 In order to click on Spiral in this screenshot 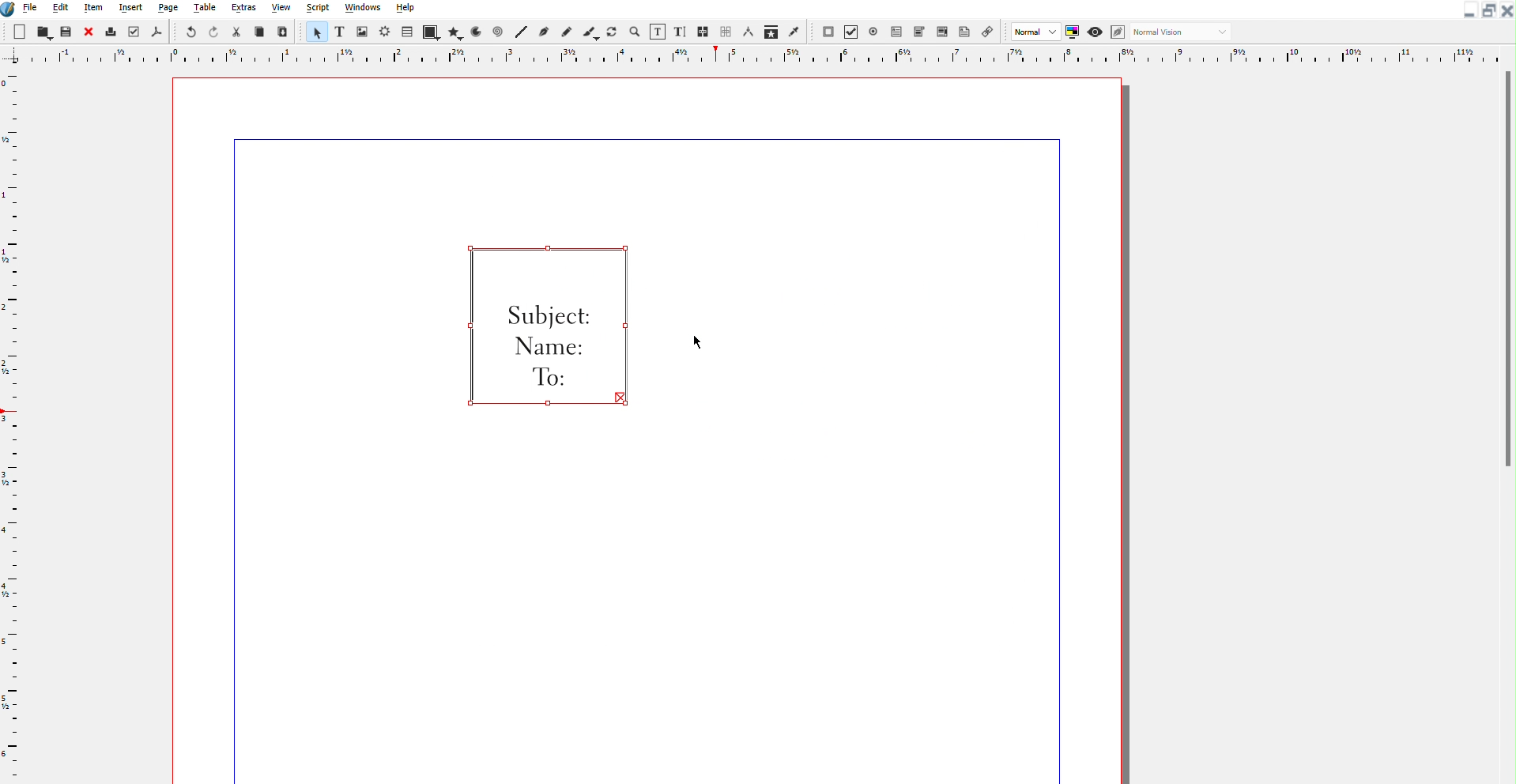, I will do `click(498, 32)`.